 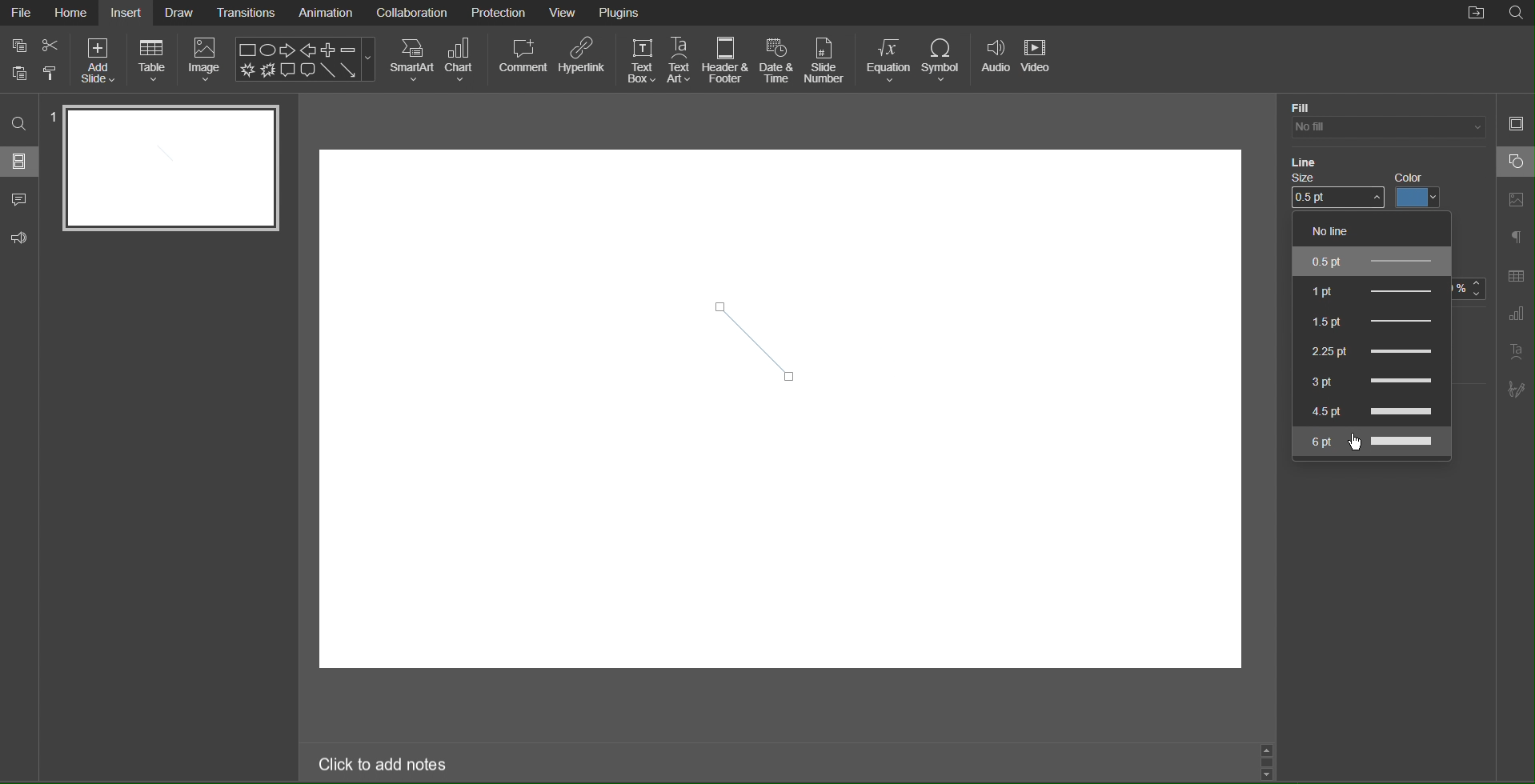 I want to click on Animation, so click(x=324, y=14).